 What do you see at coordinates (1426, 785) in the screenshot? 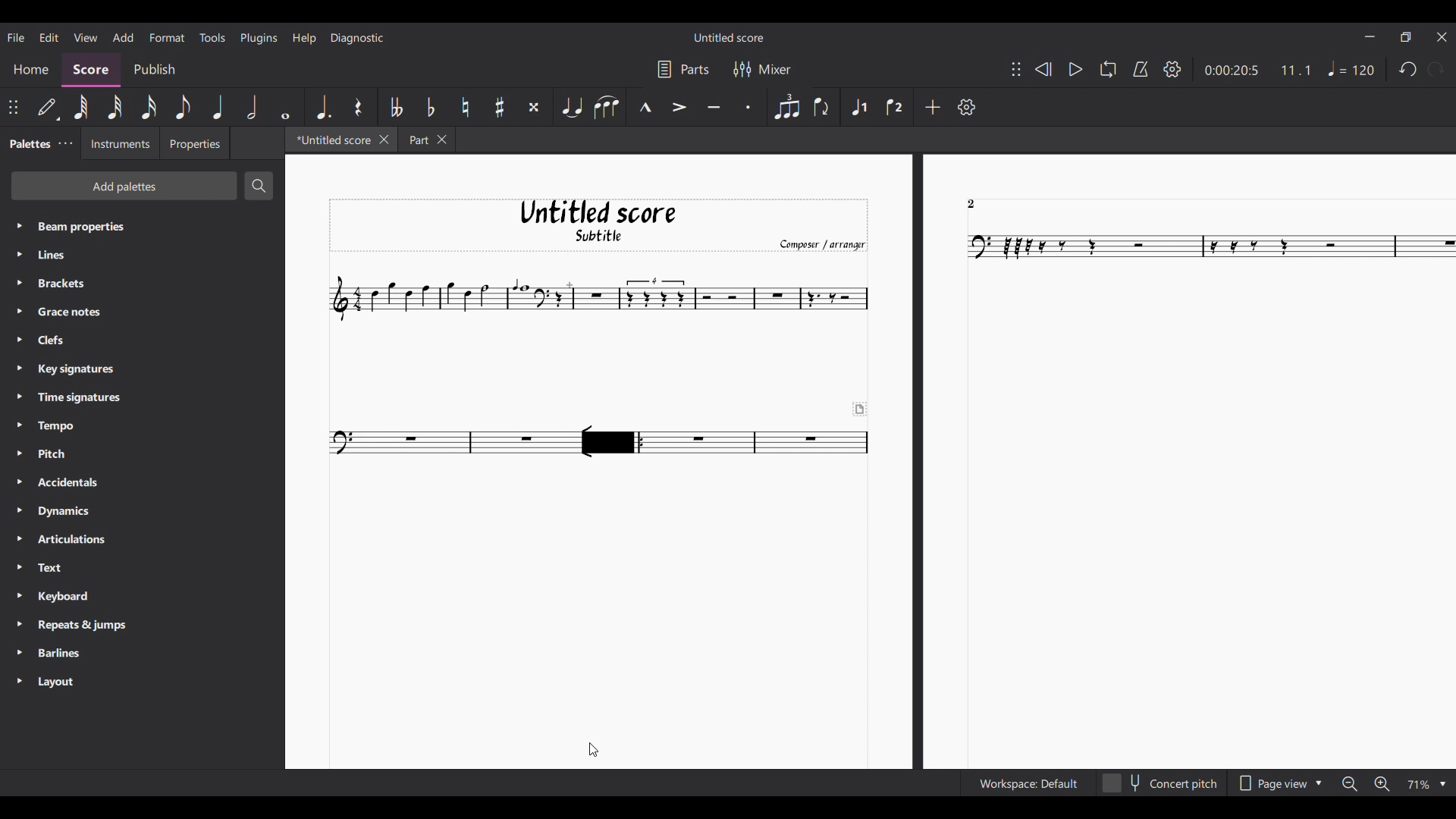
I see `Zoom options ` at bounding box center [1426, 785].